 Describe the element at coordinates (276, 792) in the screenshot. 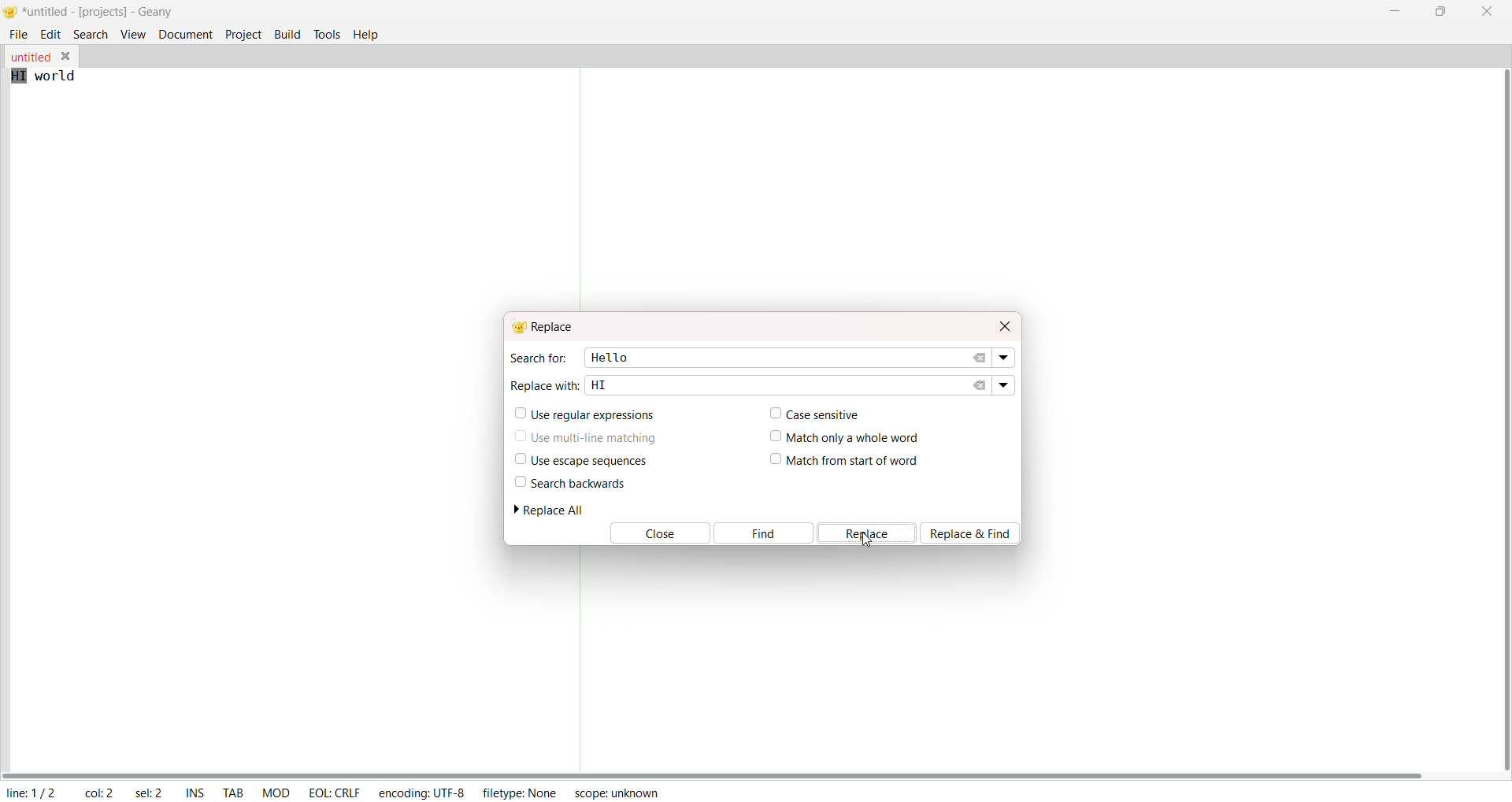

I see `mod` at that location.